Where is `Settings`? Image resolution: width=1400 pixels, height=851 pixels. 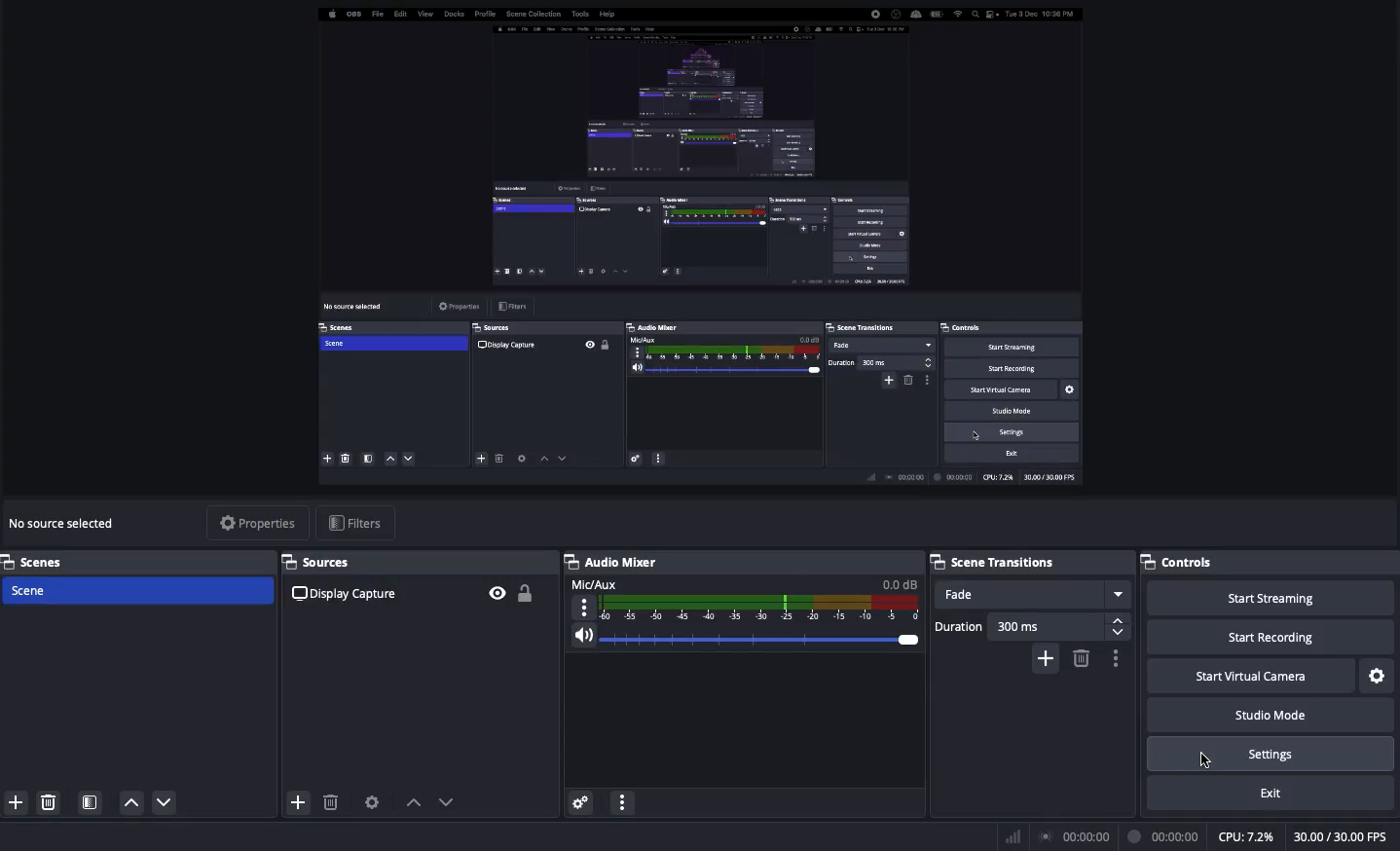
Settings is located at coordinates (1275, 754).